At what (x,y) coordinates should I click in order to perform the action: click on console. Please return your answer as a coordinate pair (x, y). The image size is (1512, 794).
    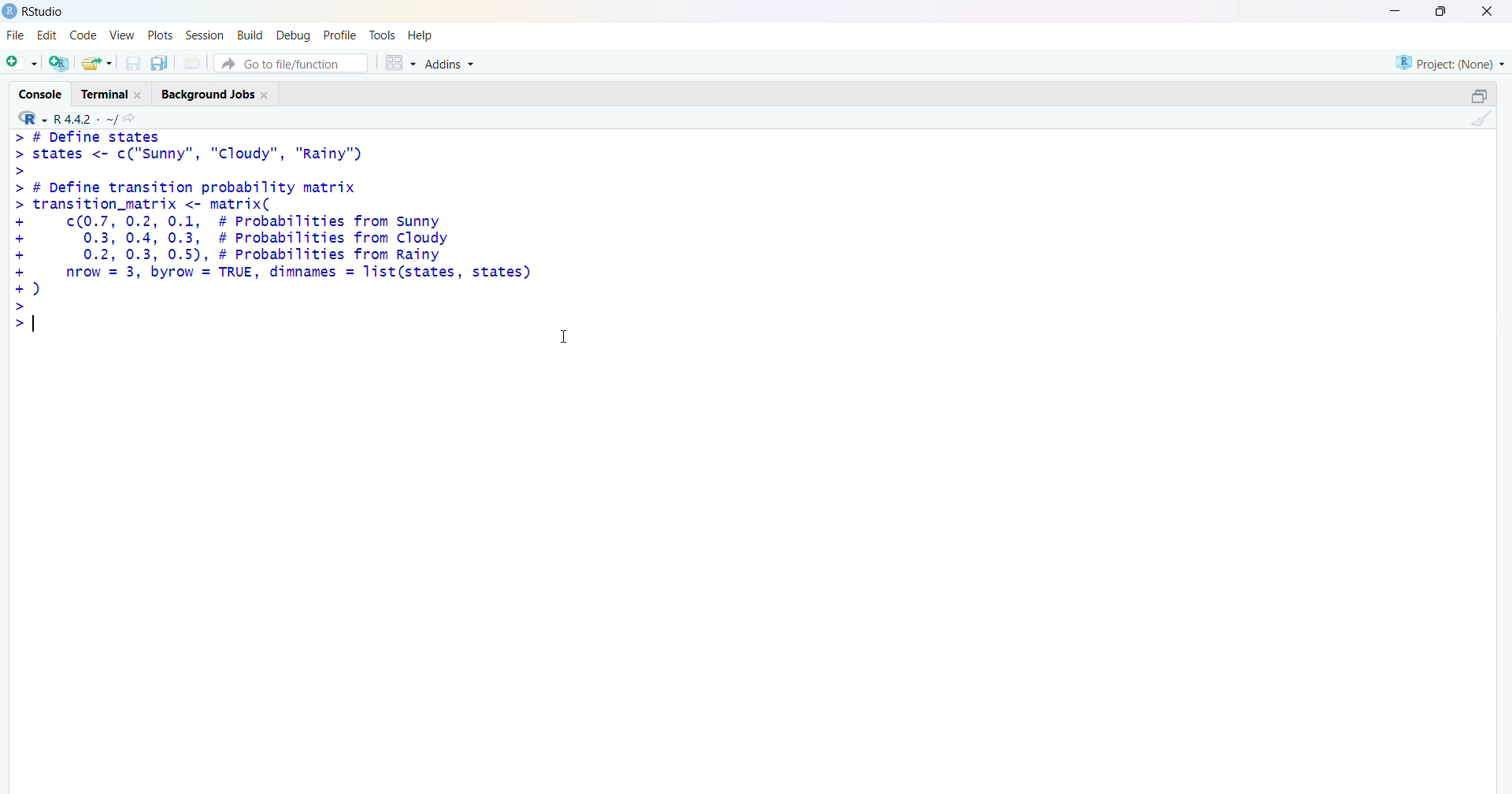
    Looking at the image, I should click on (39, 93).